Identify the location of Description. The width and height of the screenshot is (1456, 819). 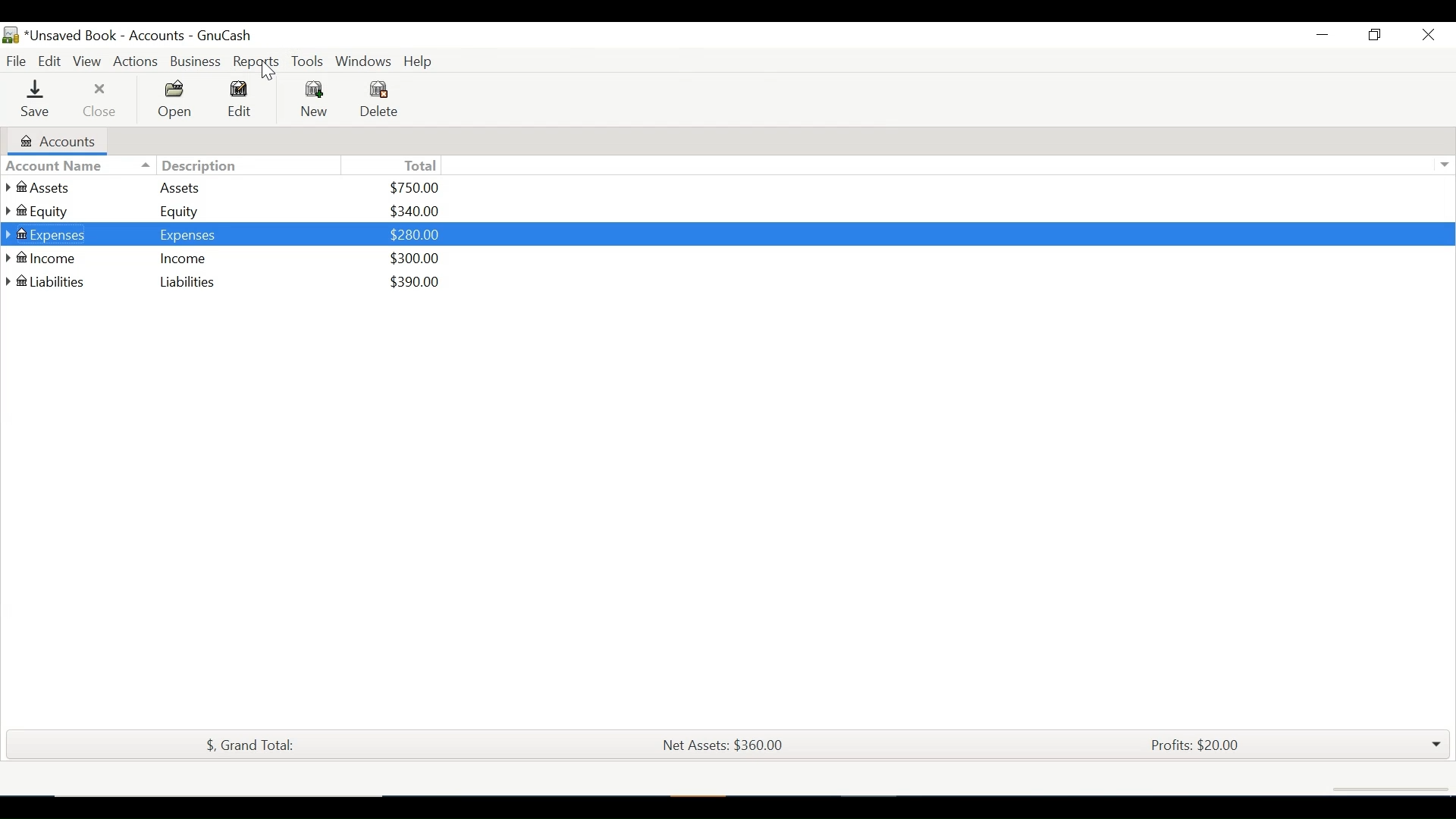
(194, 165).